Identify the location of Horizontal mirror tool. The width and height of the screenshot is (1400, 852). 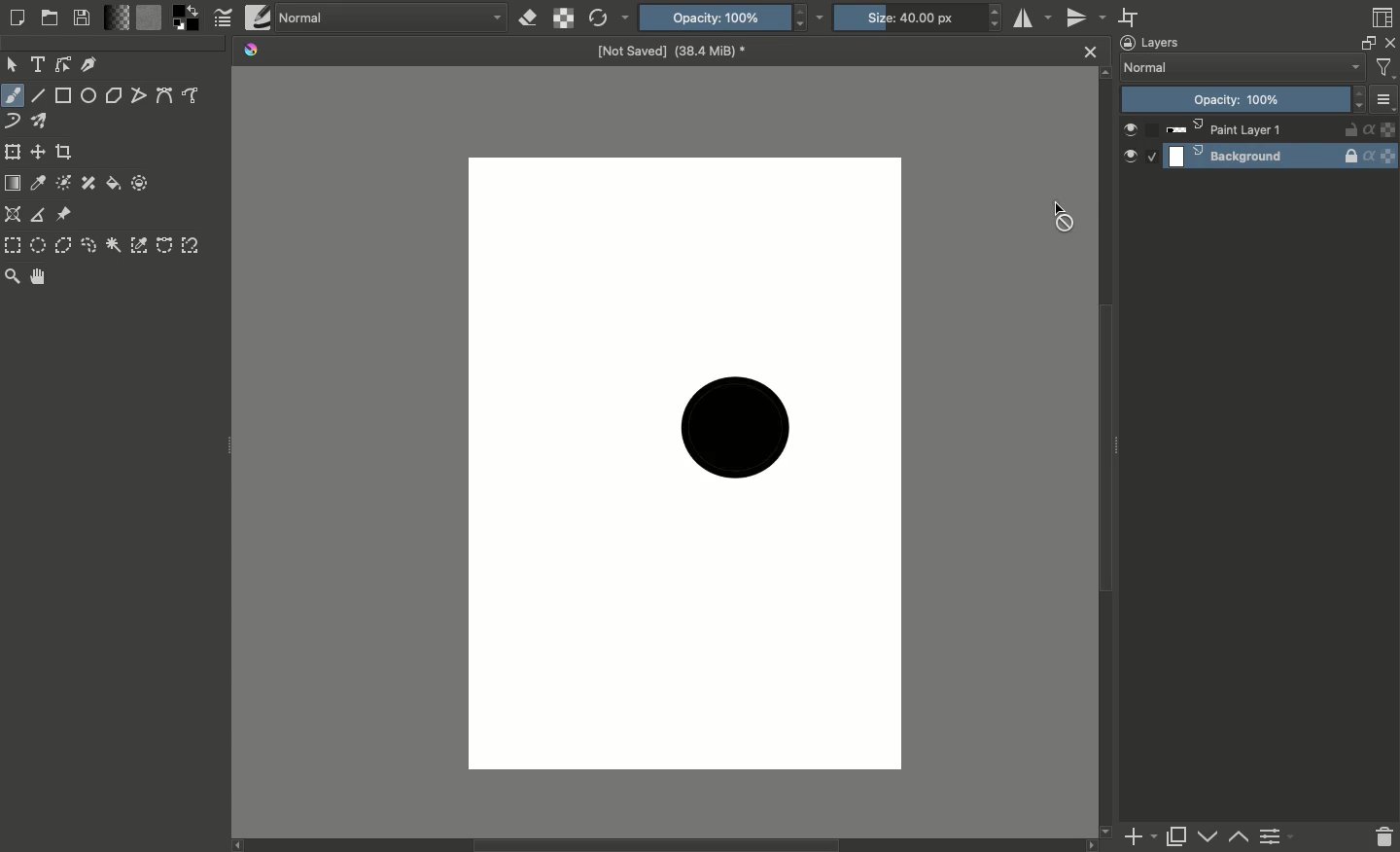
(1032, 20).